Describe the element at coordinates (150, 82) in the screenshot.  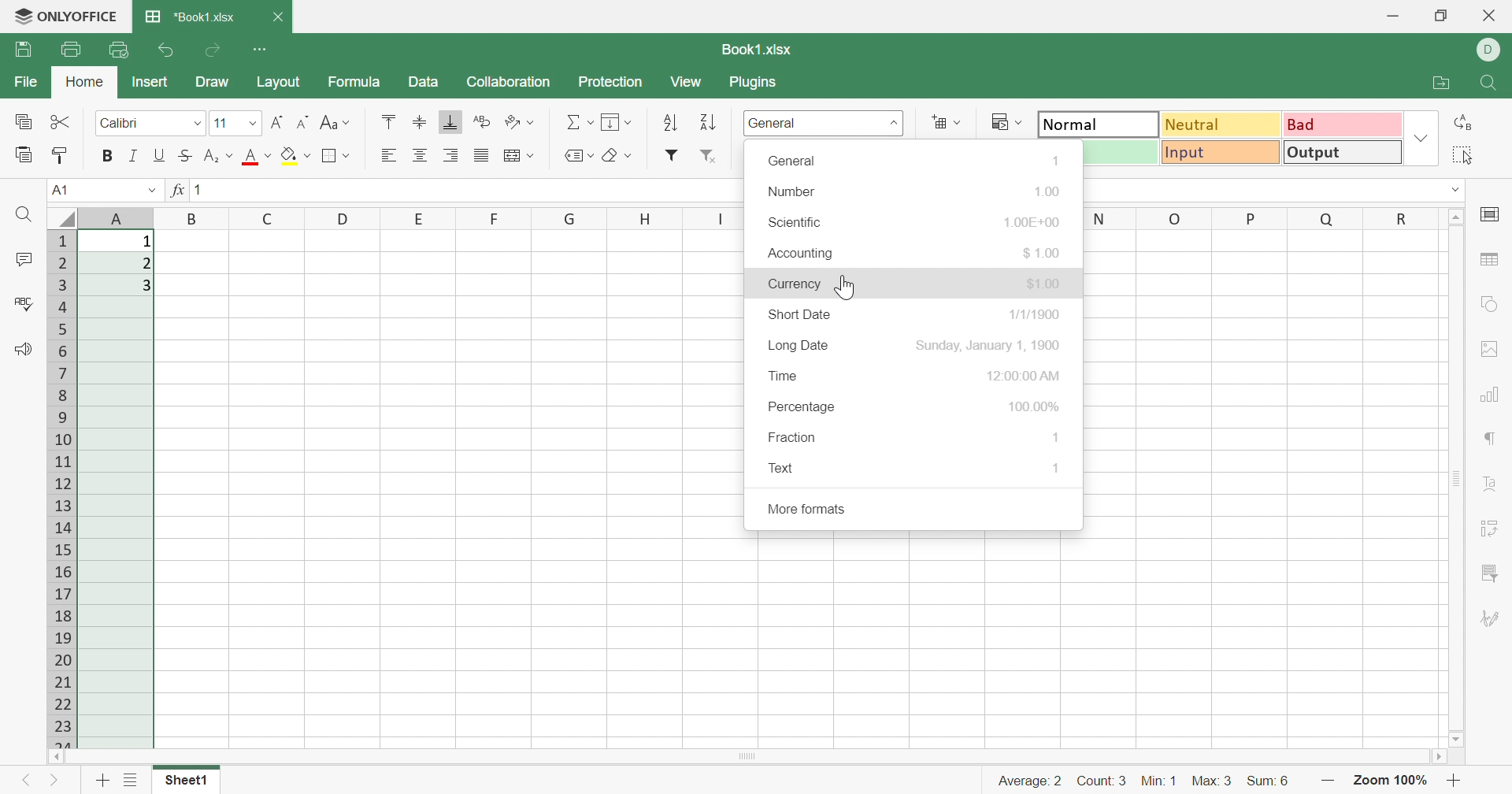
I see `Insert` at that location.